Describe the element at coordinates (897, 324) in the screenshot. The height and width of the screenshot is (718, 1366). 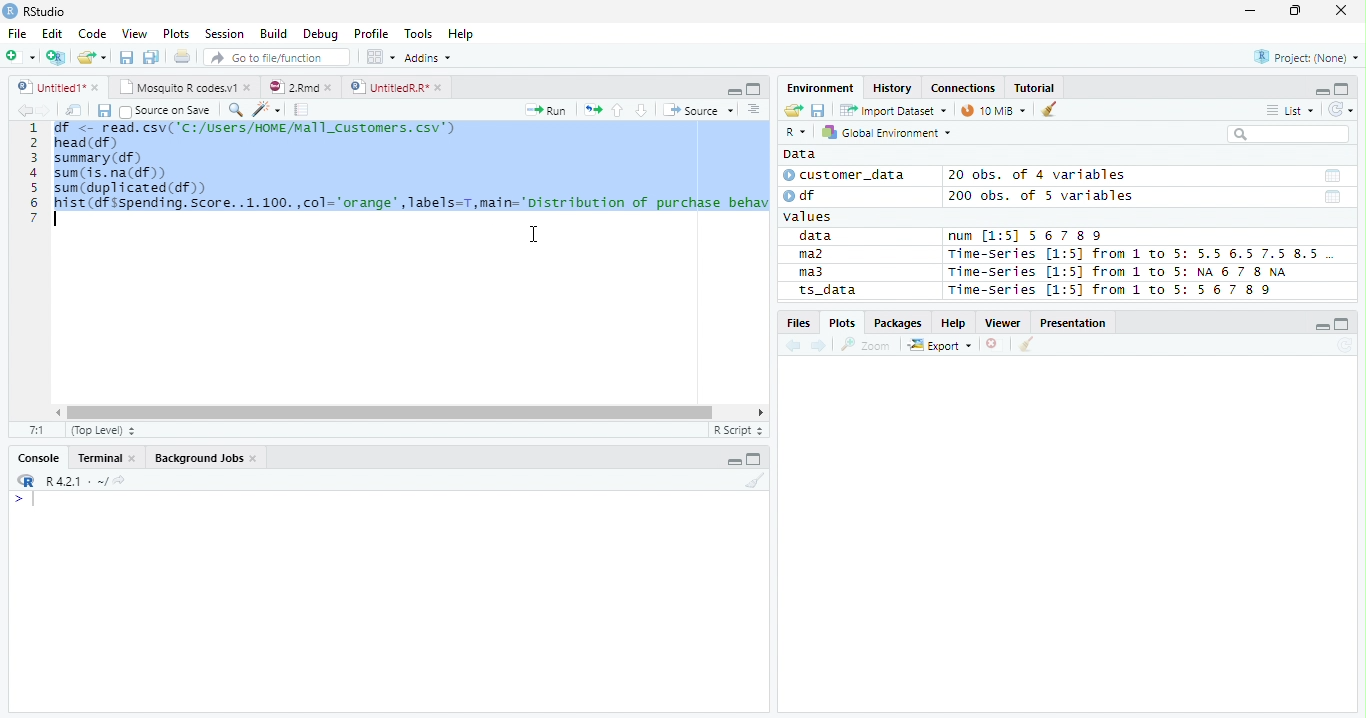
I see `Packages` at that location.